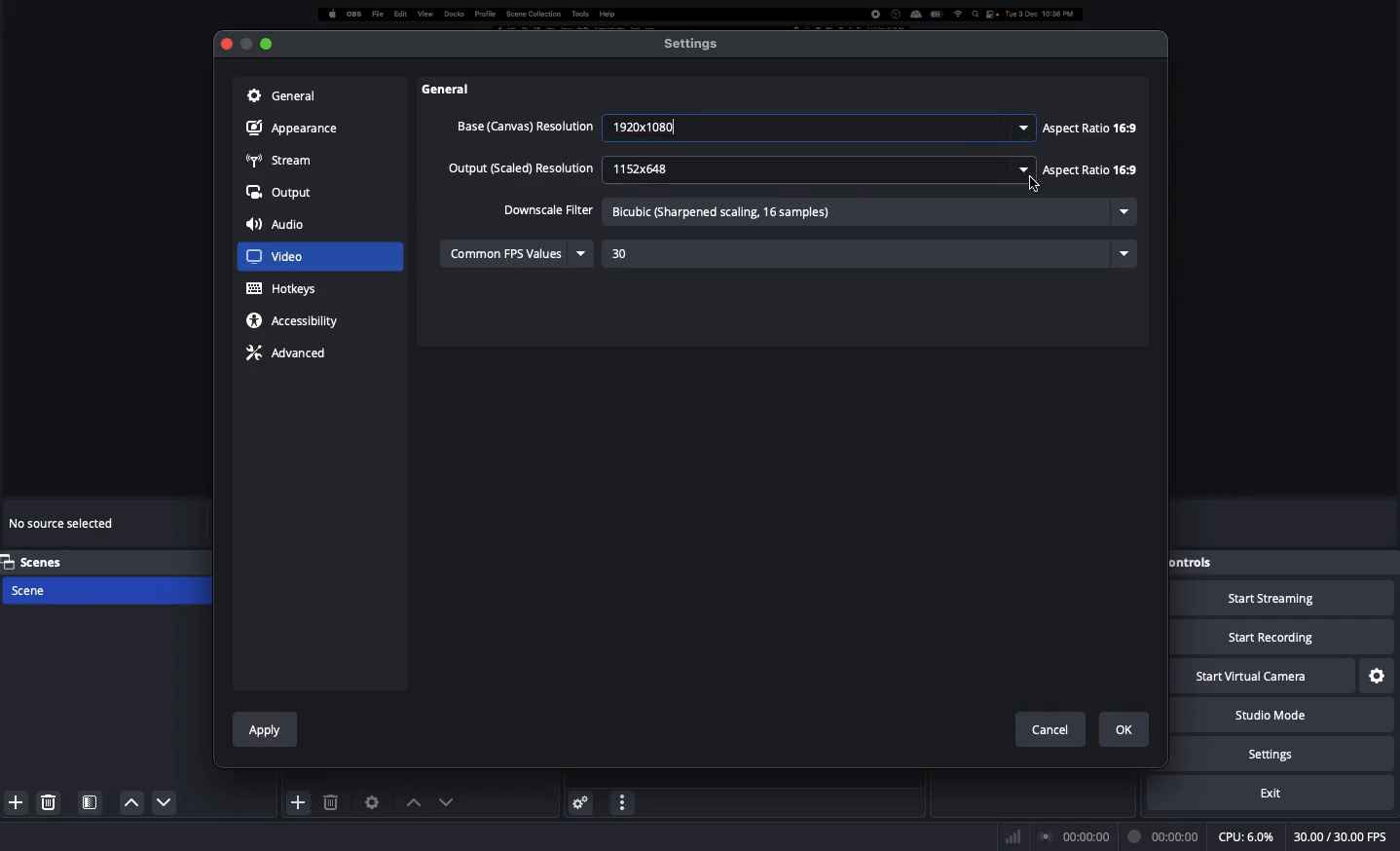 The height and width of the screenshot is (851, 1400). Describe the element at coordinates (523, 170) in the screenshot. I see `Output resolution ` at that location.